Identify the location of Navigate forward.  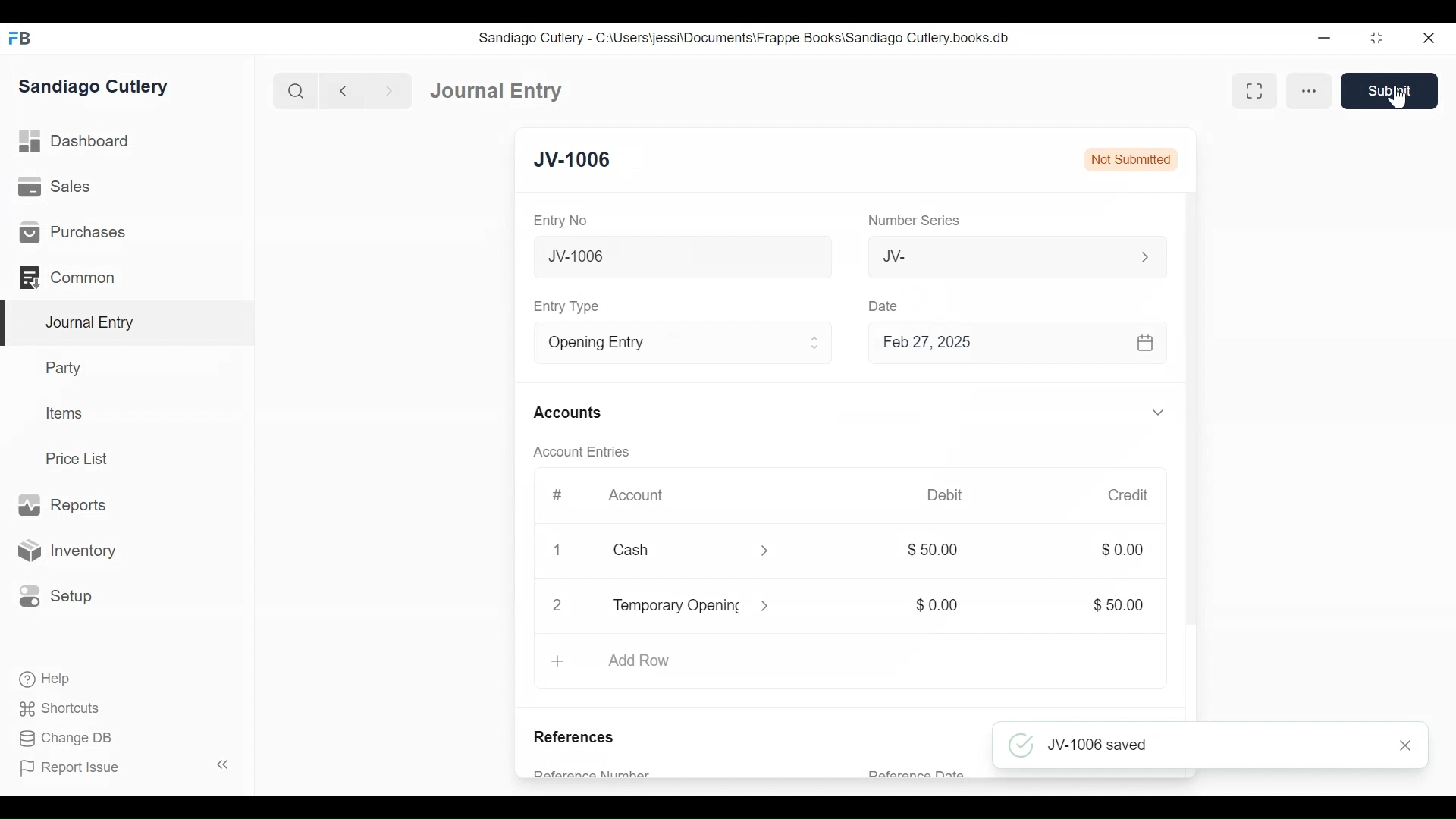
(388, 91).